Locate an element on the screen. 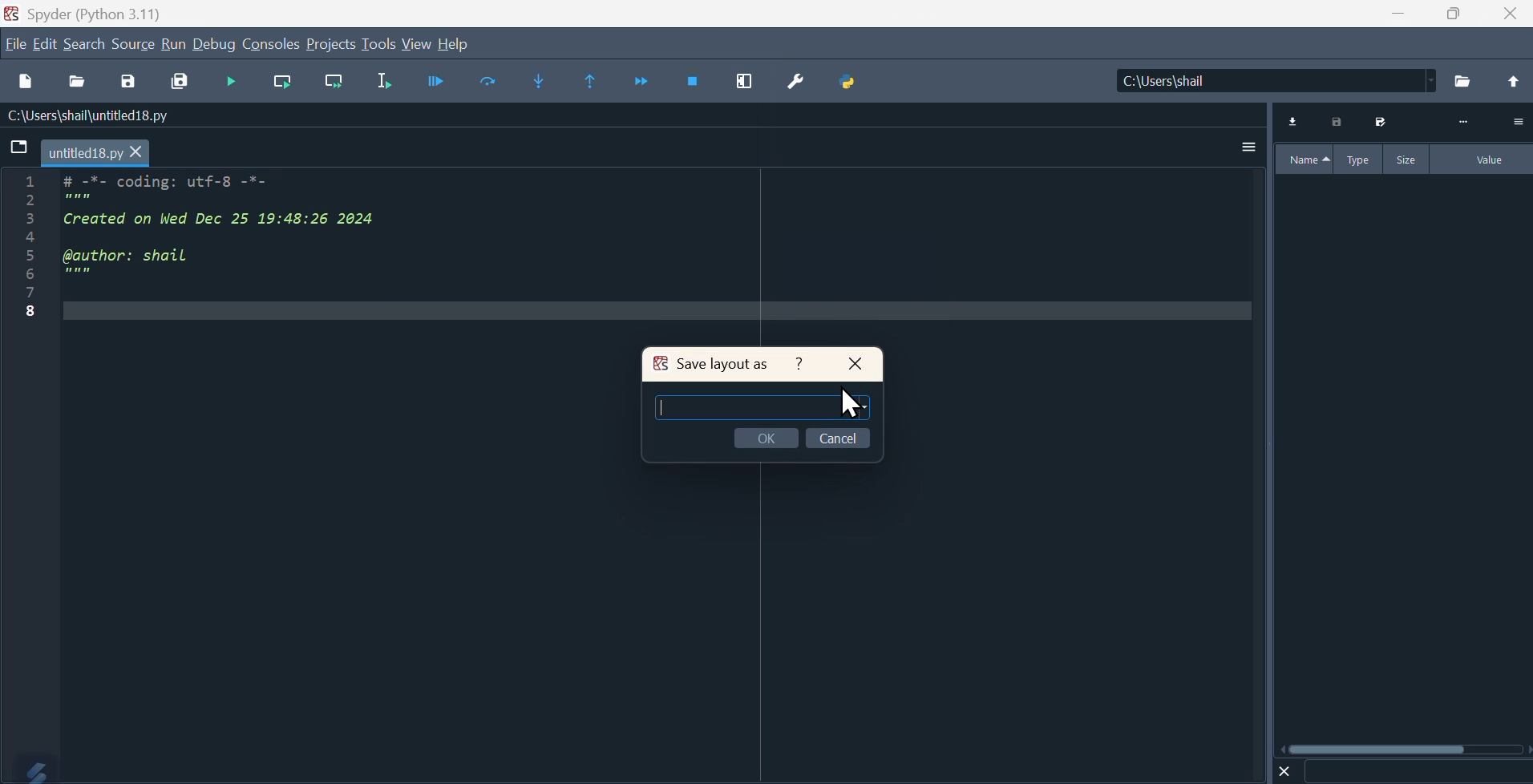 The height and width of the screenshot is (784, 1533). Name is located at coordinates (1304, 160).